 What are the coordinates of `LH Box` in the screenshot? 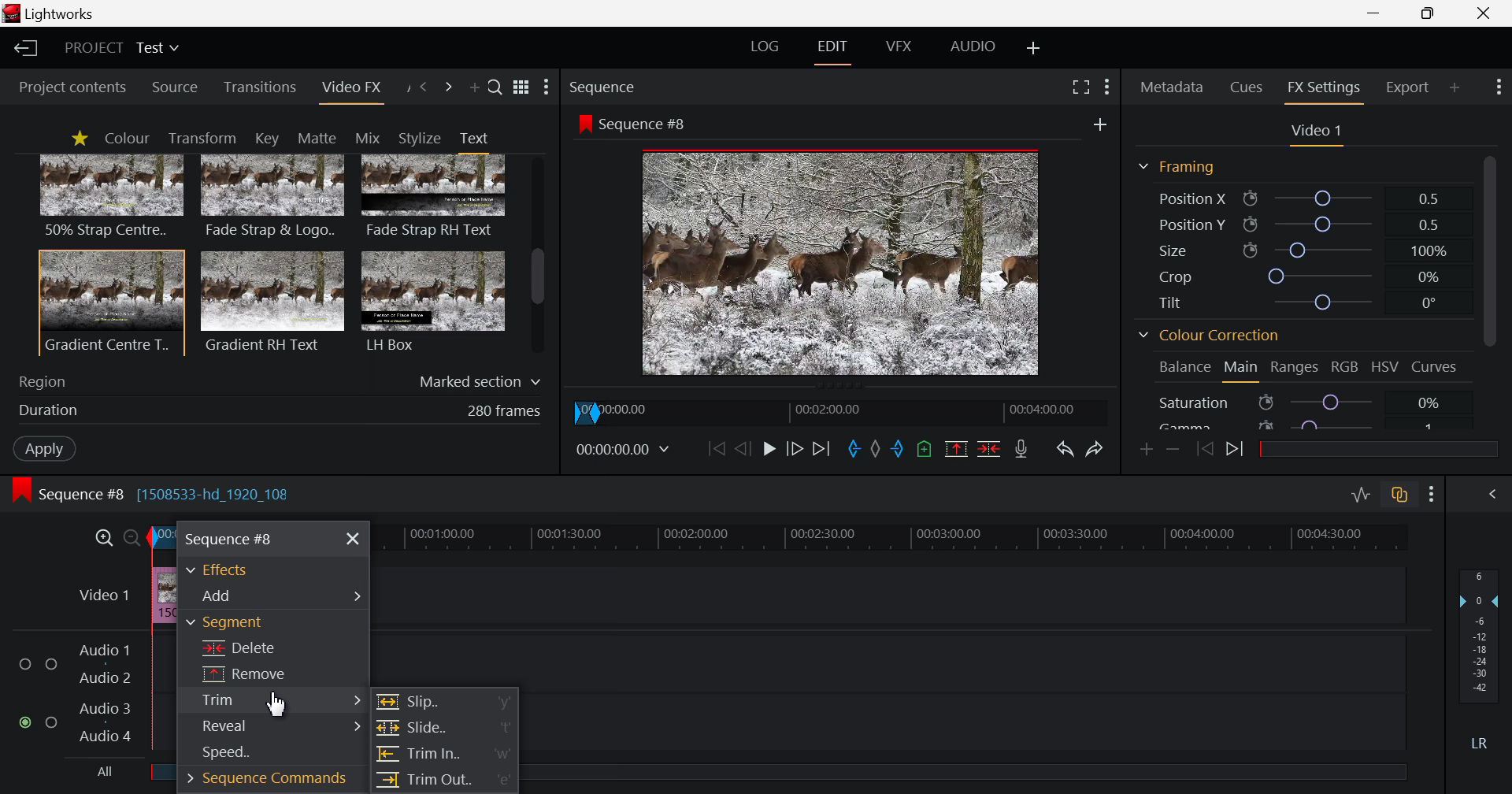 It's located at (432, 301).